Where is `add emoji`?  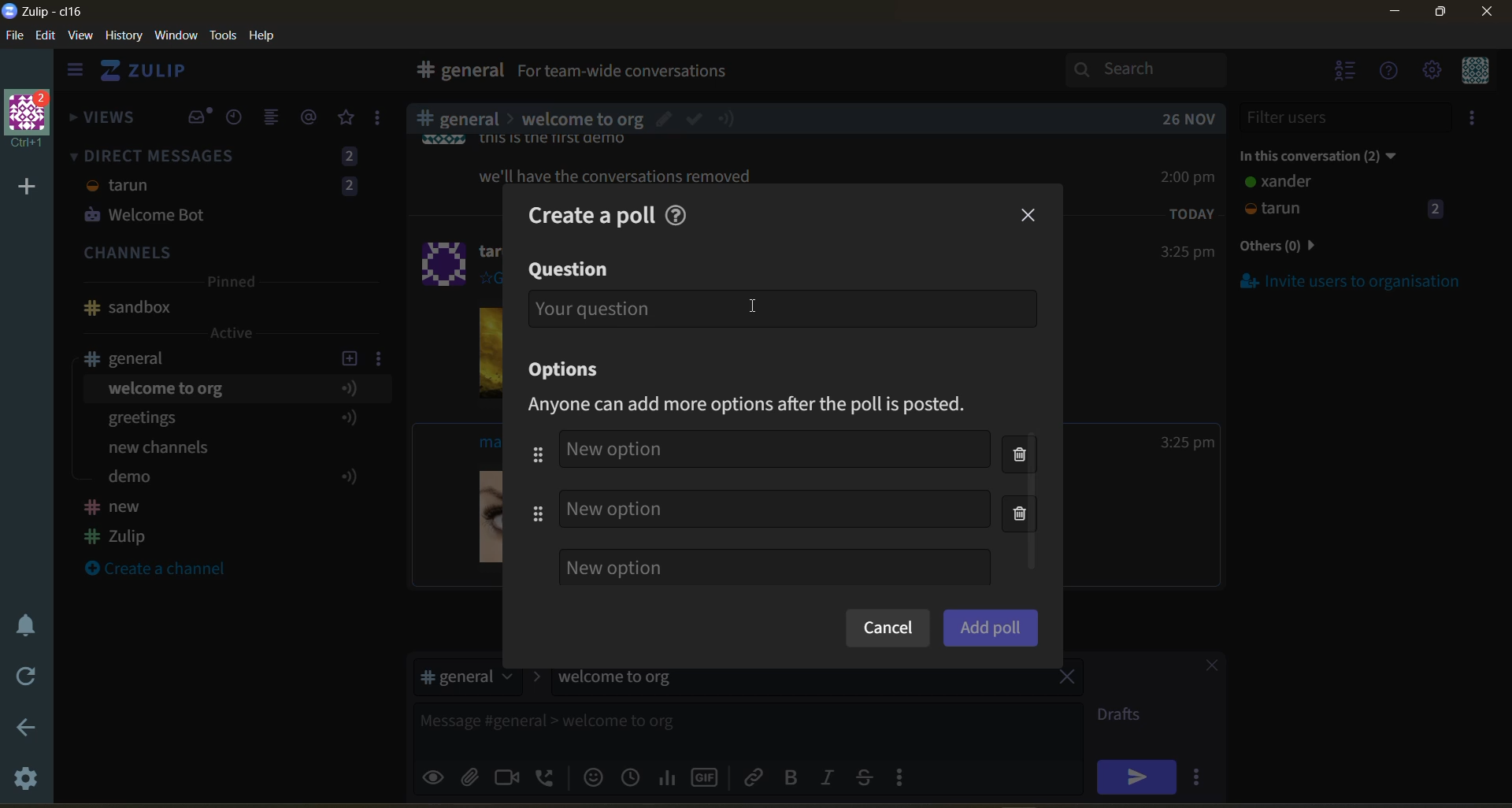
add emoji is located at coordinates (591, 776).